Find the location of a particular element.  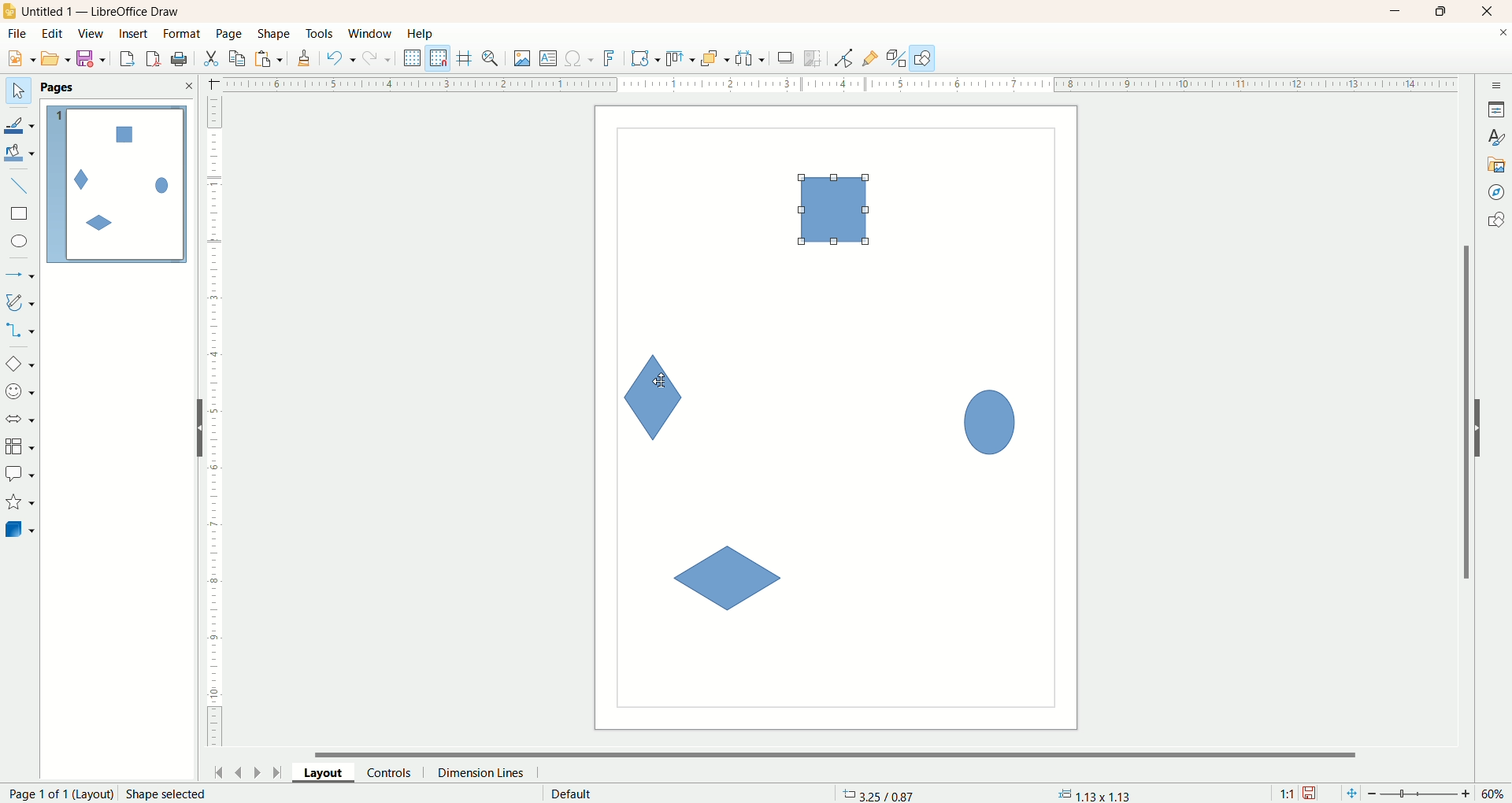

dimension lines is located at coordinates (485, 772).